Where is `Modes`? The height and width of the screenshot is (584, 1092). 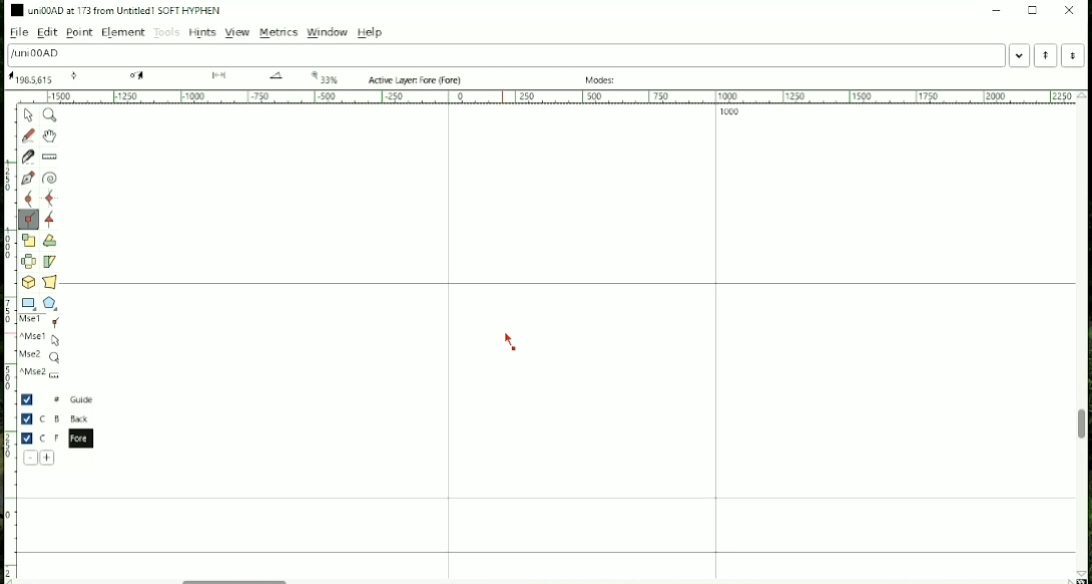 Modes is located at coordinates (603, 80).